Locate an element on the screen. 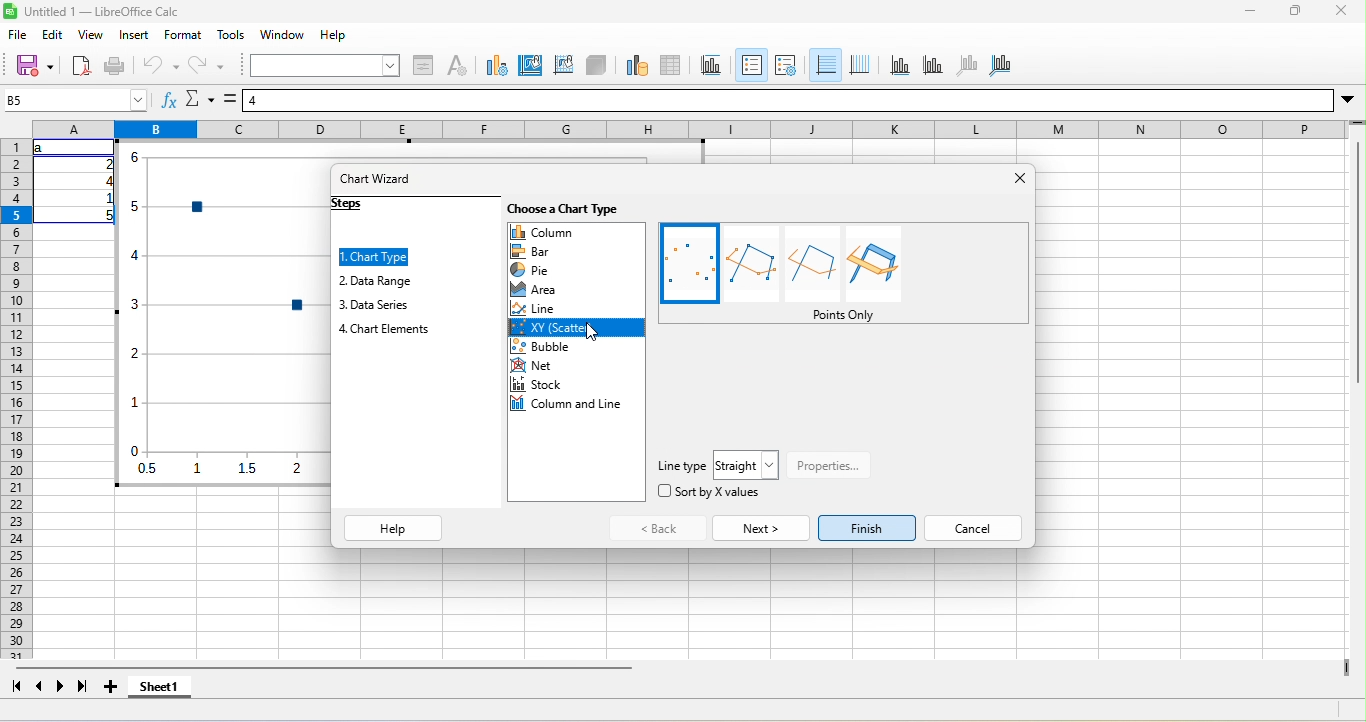 The image size is (1366, 722). properties is located at coordinates (829, 466).